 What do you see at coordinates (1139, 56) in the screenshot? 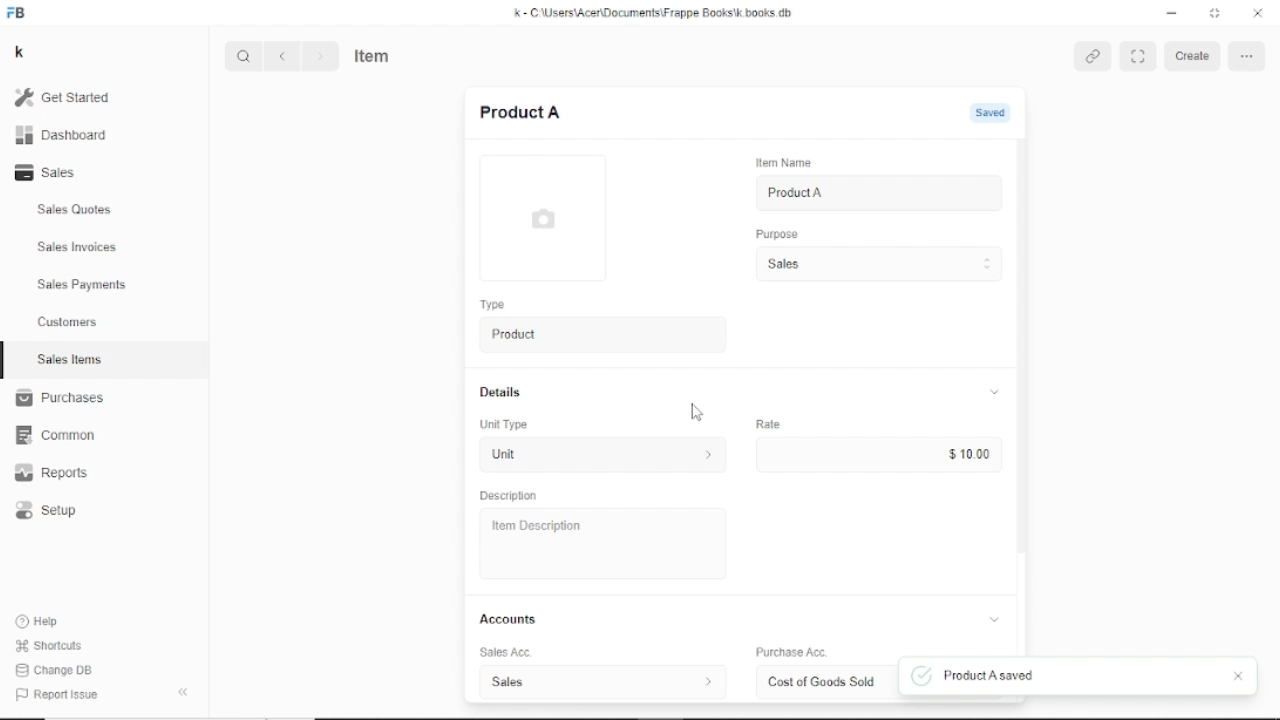
I see `Toggle between form and full width` at bounding box center [1139, 56].